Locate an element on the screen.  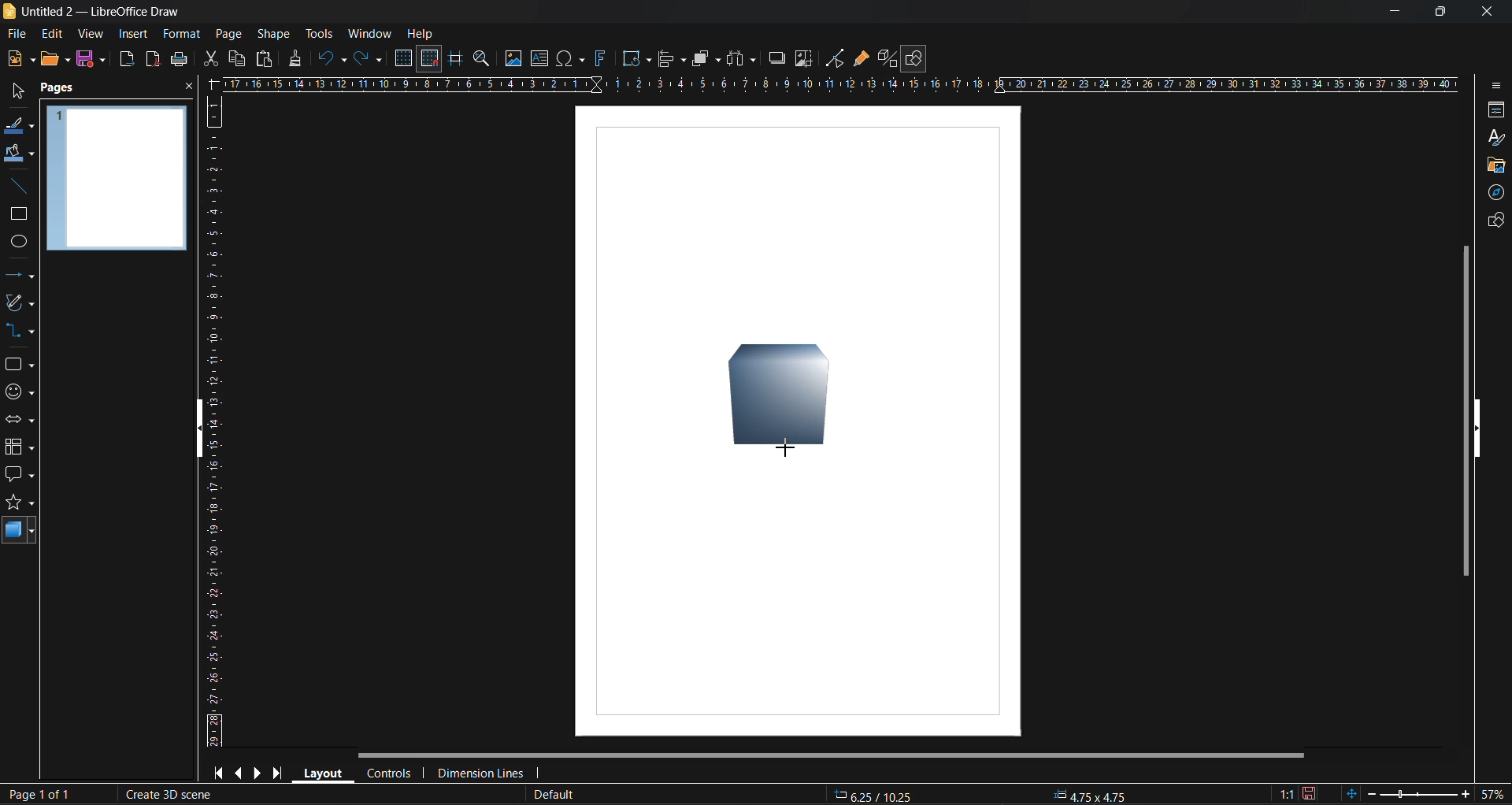
create 3d scene is located at coordinates (165, 796).